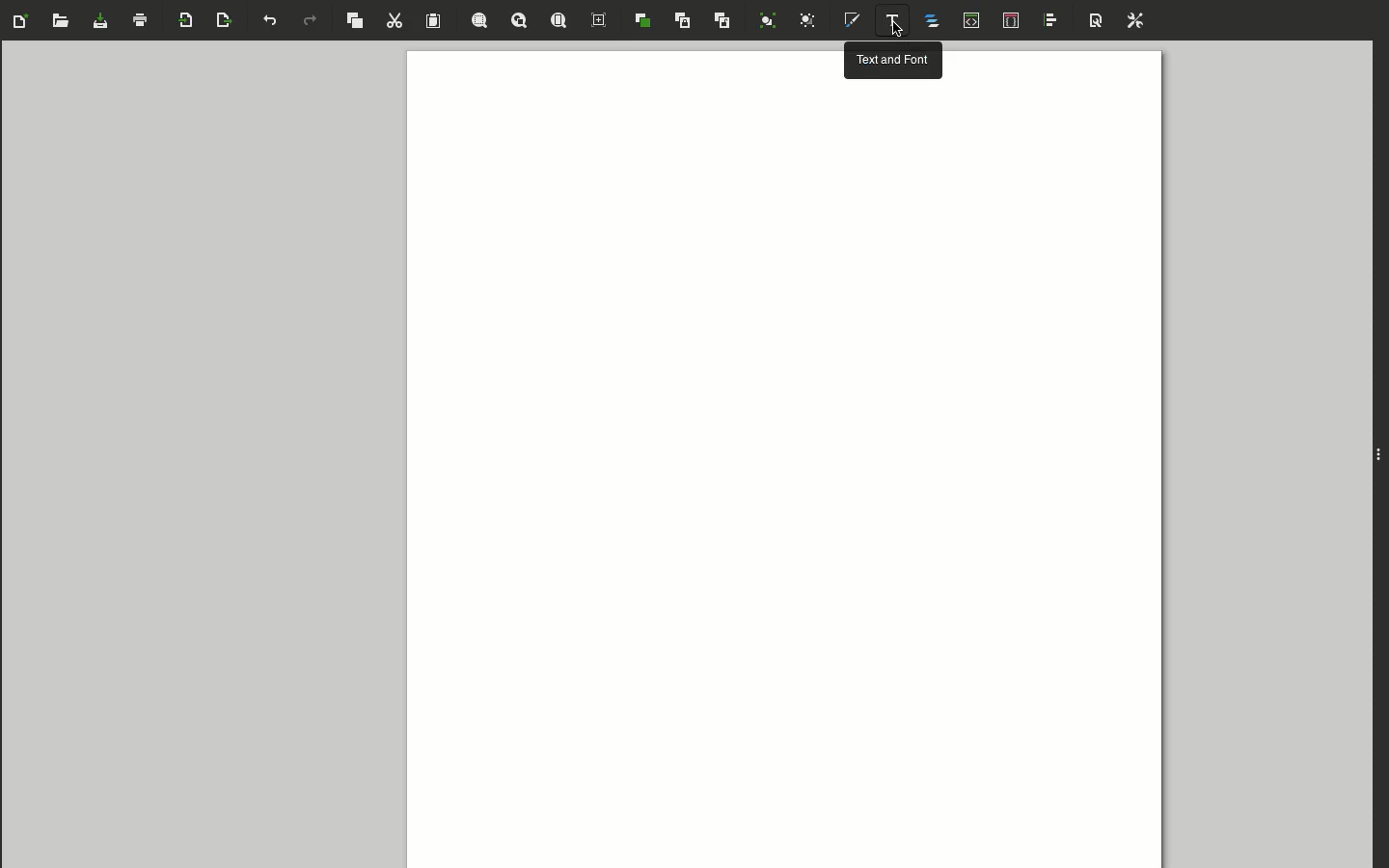 The image size is (1389, 868). I want to click on Duplicate, so click(643, 21).